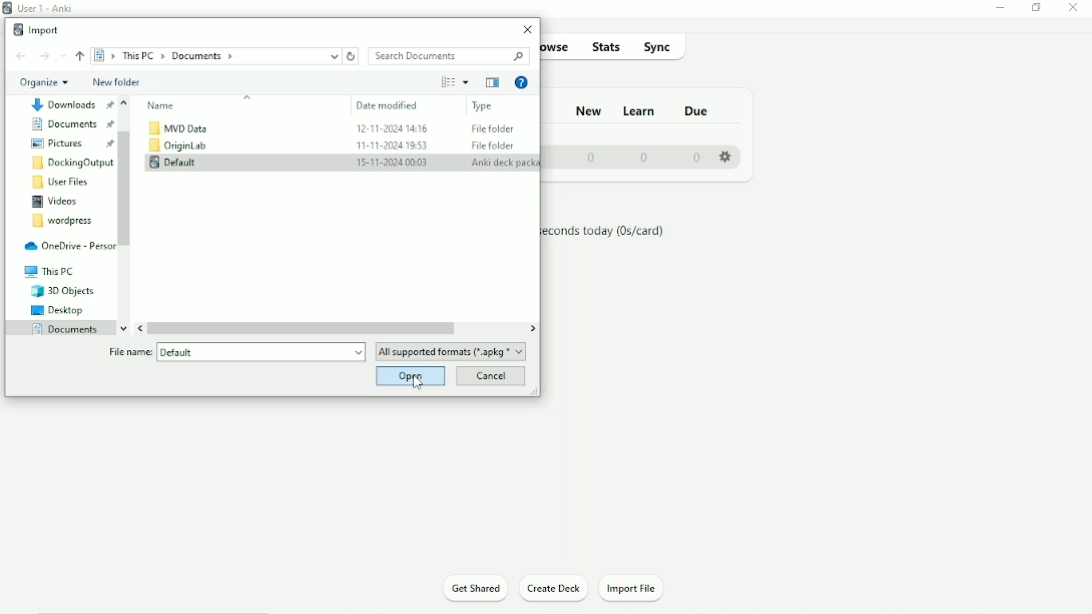  I want to click on 0, so click(591, 158).